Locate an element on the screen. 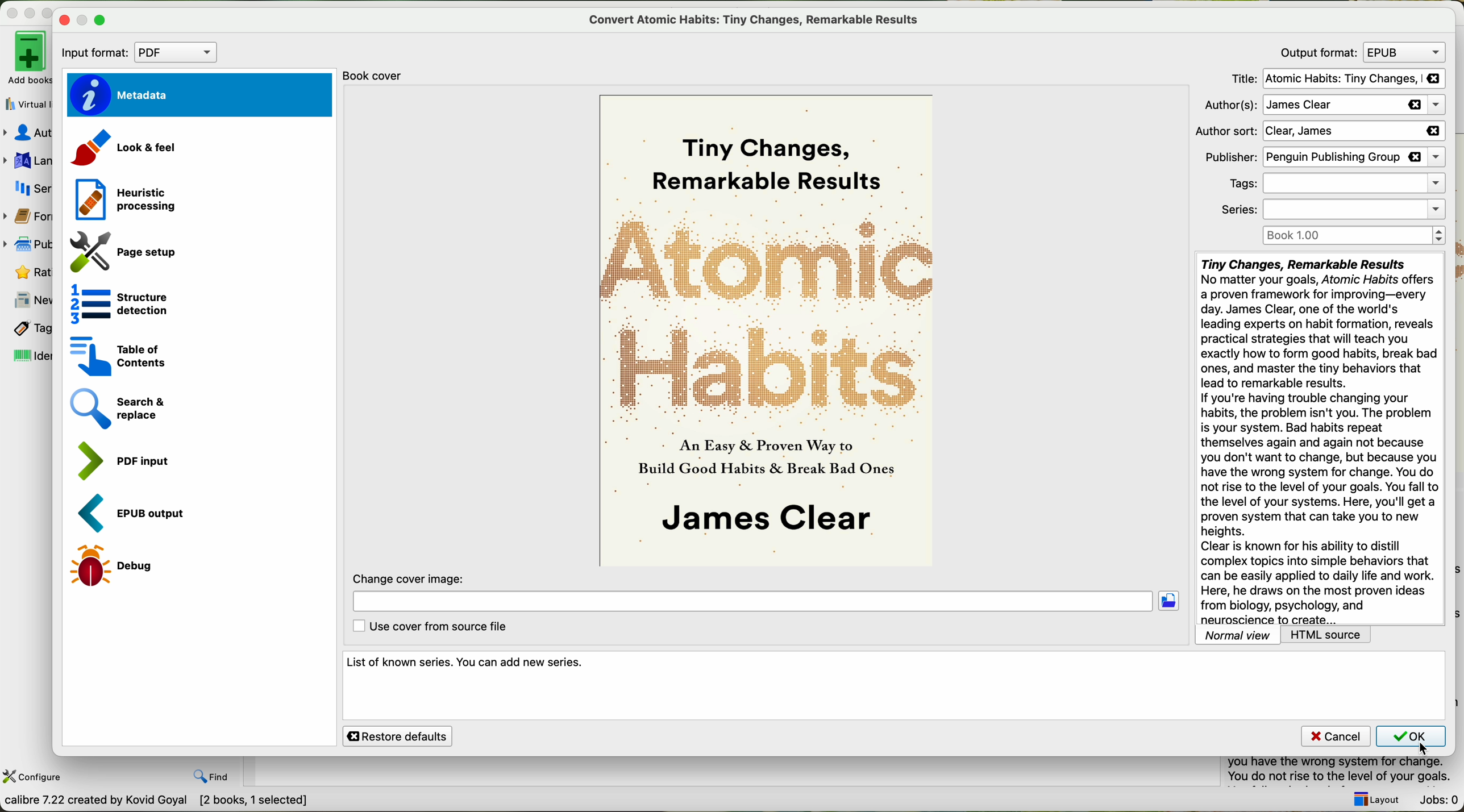 This screenshot has height=812, width=1464. Jobs: 0 is located at coordinates (1440, 801).